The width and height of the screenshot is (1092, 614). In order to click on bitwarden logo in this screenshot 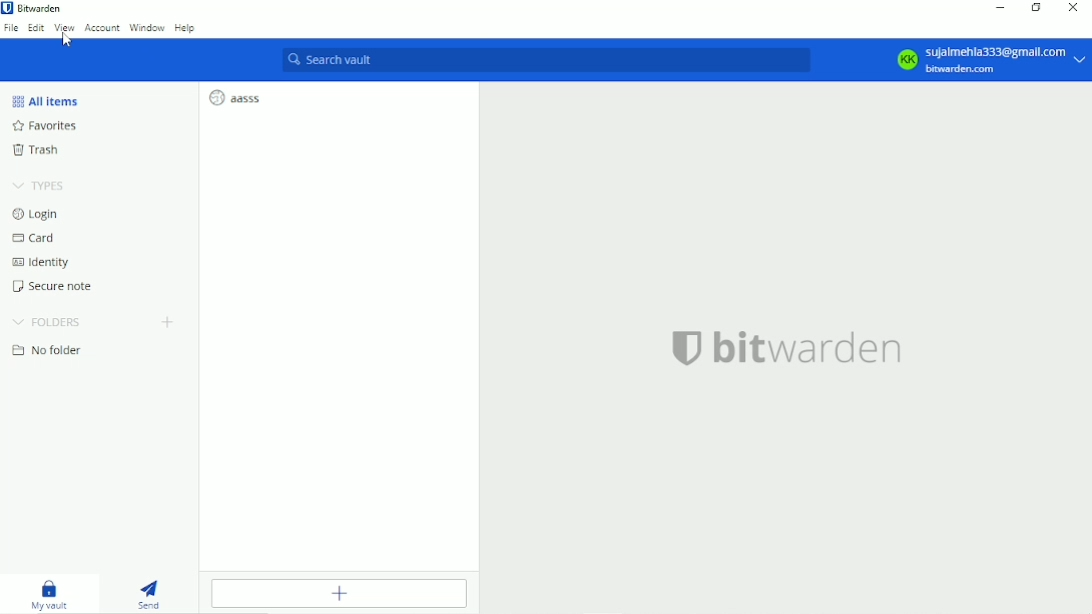, I will do `click(686, 348)`.